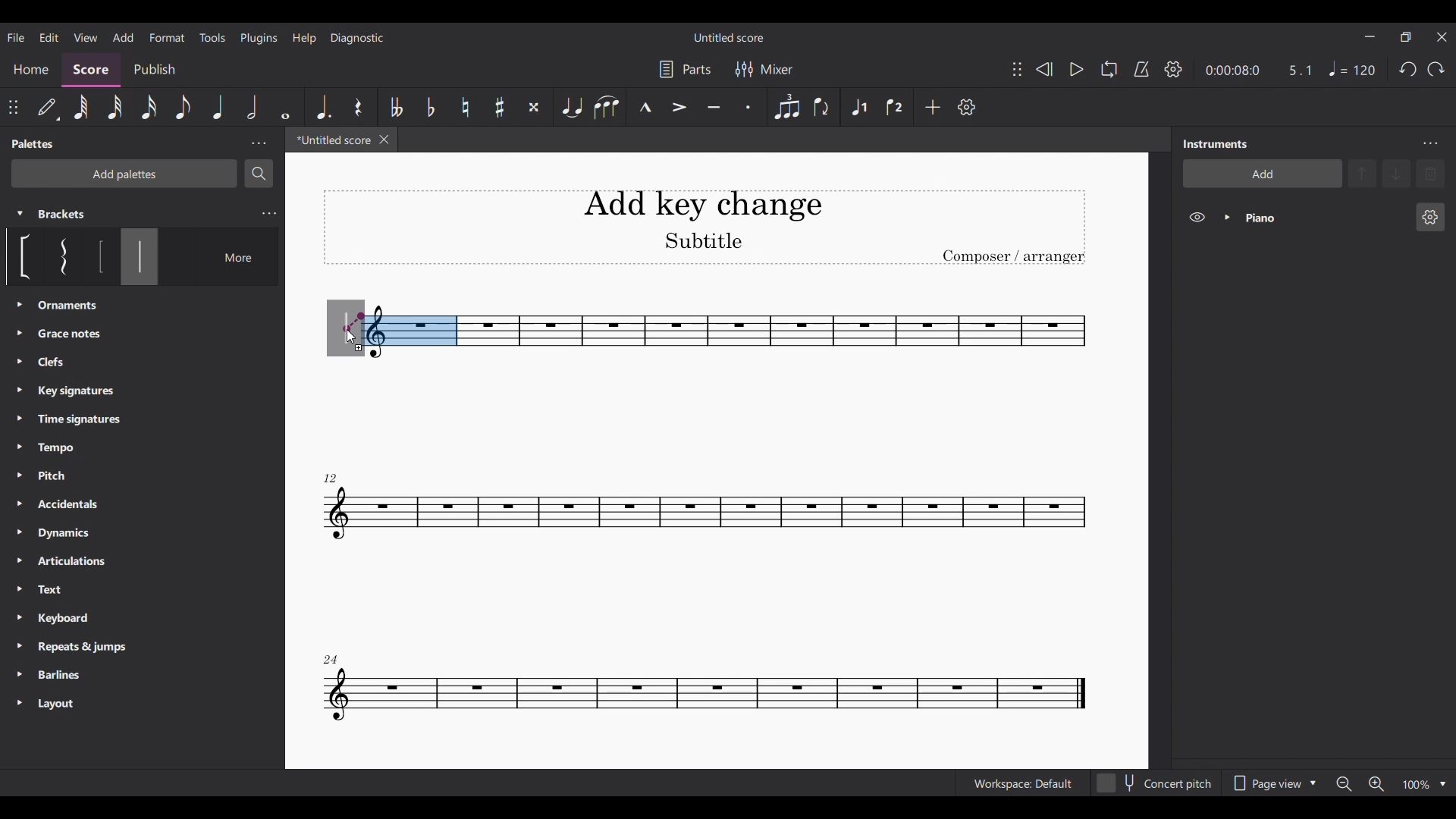  Describe the element at coordinates (115, 108) in the screenshot. I see `32nd note` at that location.